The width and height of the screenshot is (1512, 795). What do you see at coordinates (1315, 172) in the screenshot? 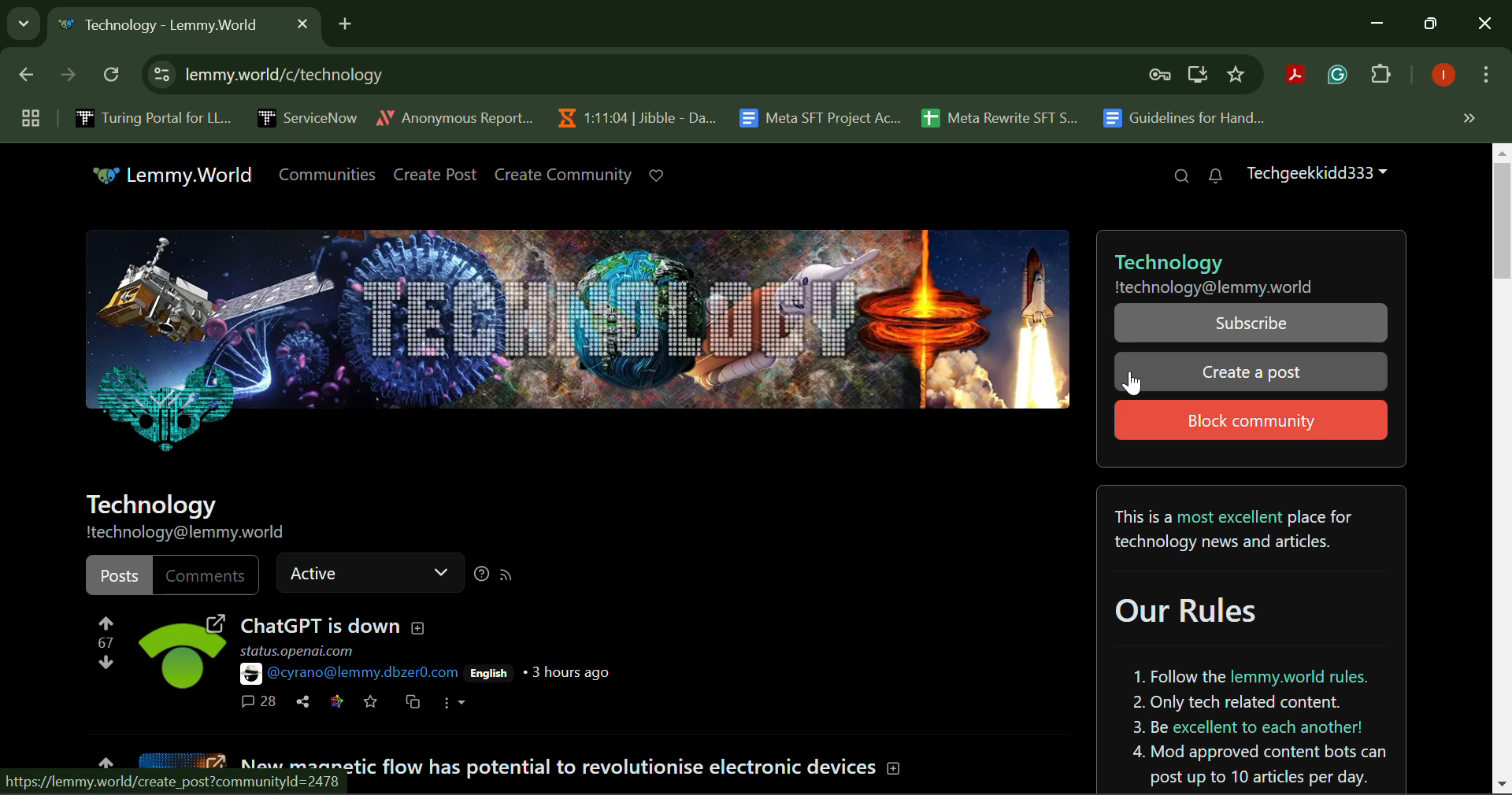
I see `Techgeekkidd333` at bounding box center [1315, 172].